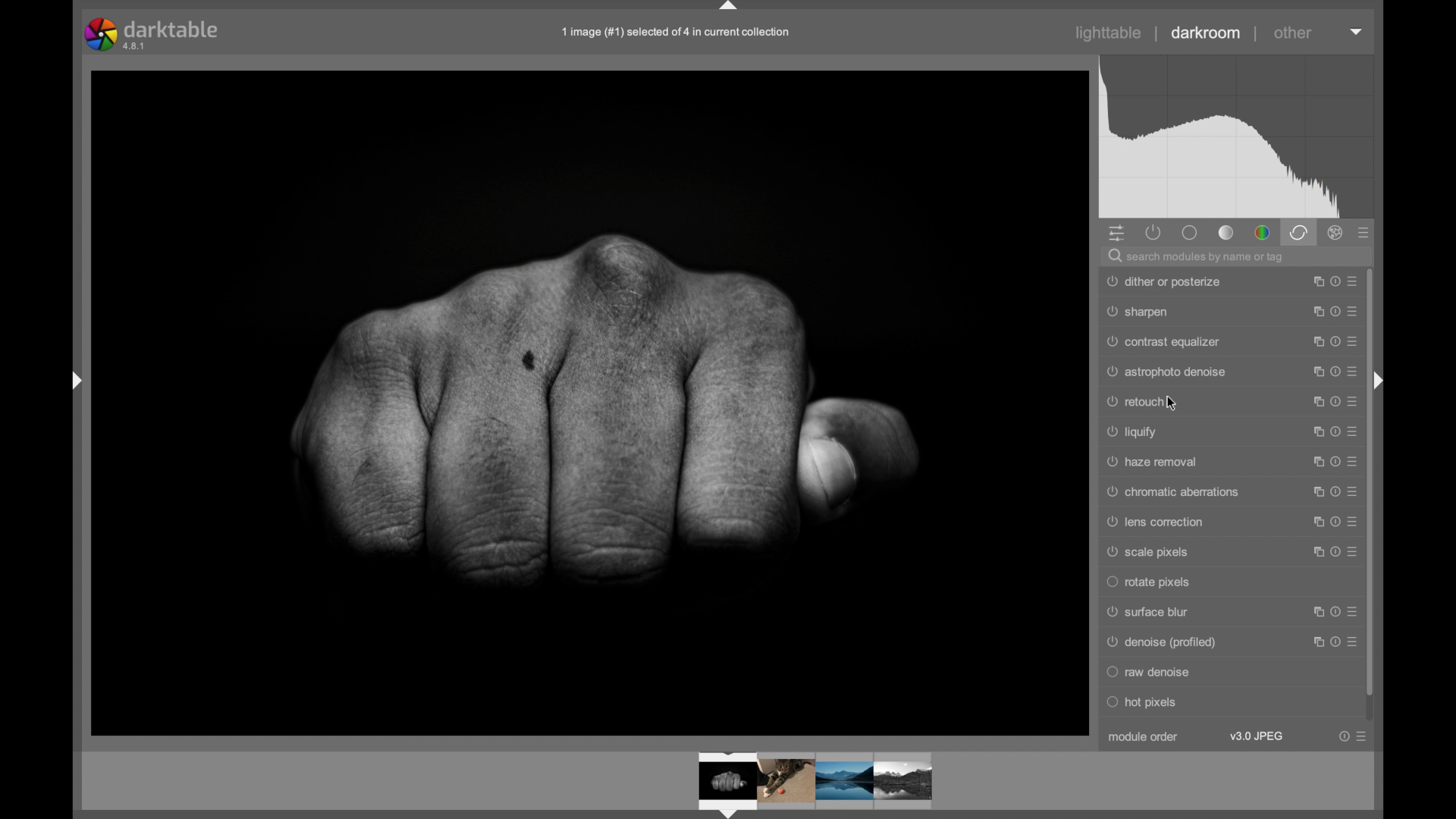 Image resolution: width=1456 pixels, height=819 pixels. What do you see at coordinates (1312, 372) in the screenshot?
I see `maximize` at bounding box center [1312, 372].